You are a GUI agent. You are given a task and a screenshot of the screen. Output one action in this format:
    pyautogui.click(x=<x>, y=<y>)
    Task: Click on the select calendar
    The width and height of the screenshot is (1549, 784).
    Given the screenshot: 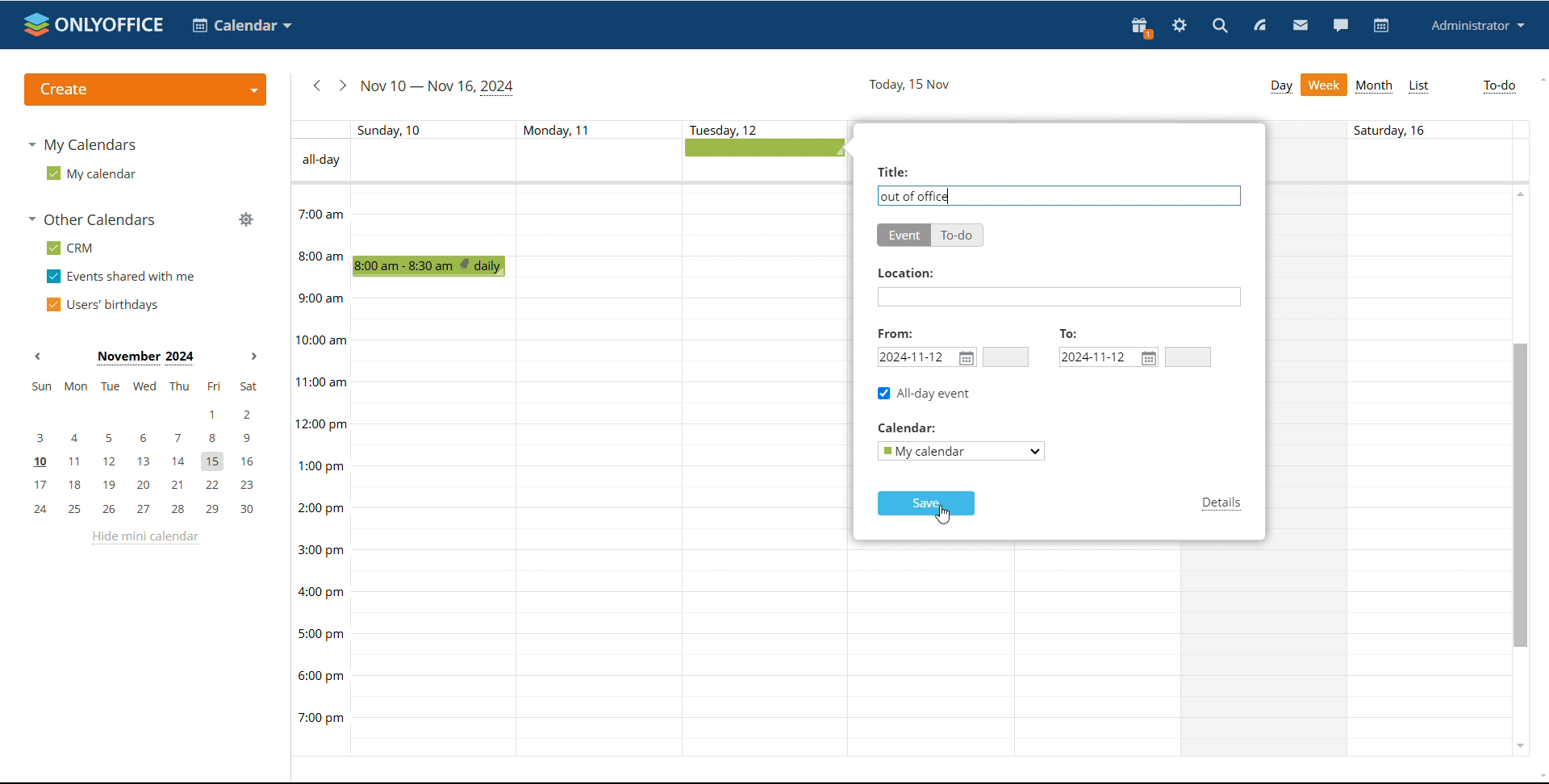 What is the action you would take?
    pyautogui.click(x=961, y=452)
    